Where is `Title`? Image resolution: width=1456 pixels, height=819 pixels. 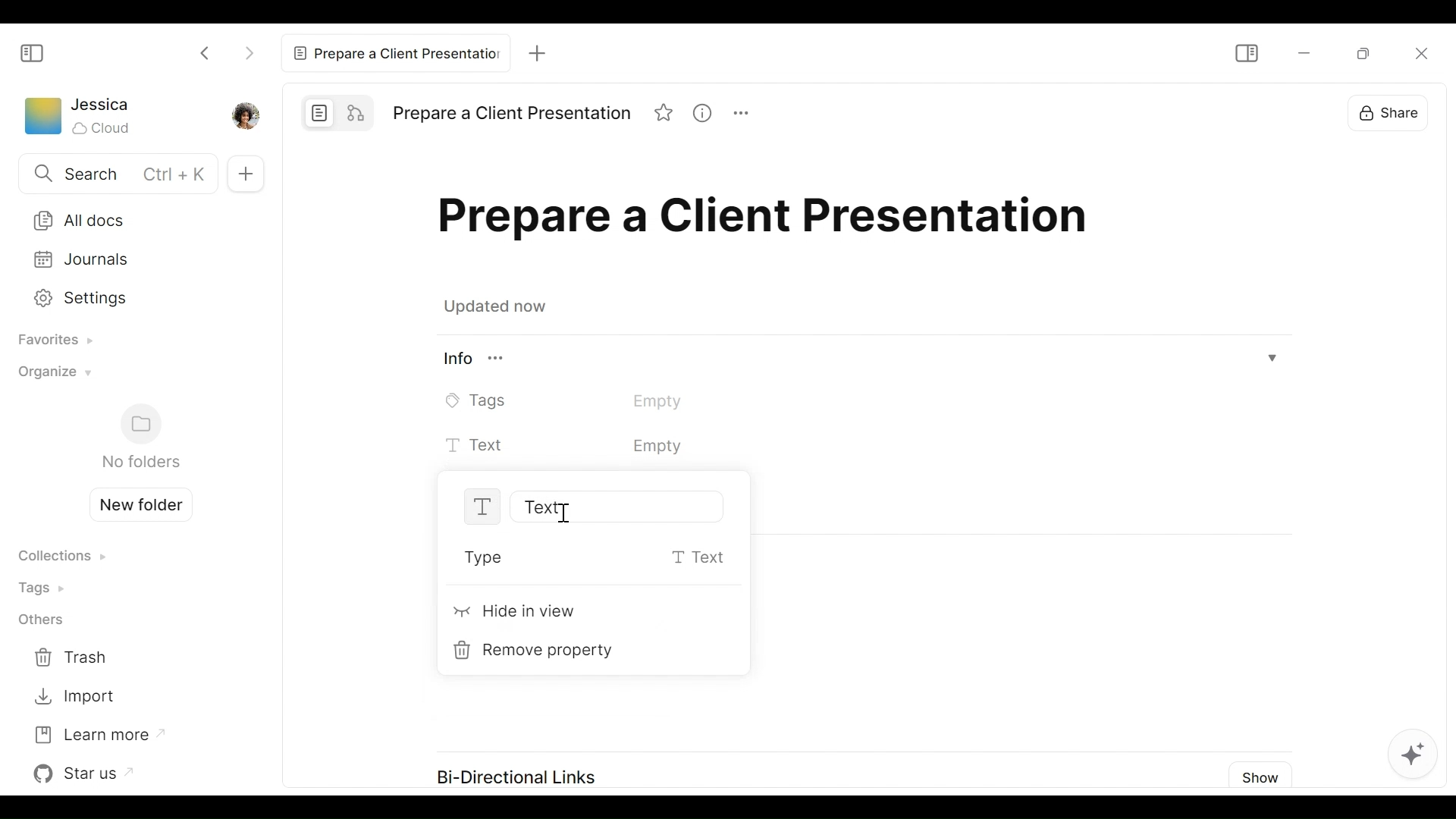 Title is located at coordinates (770, 221).